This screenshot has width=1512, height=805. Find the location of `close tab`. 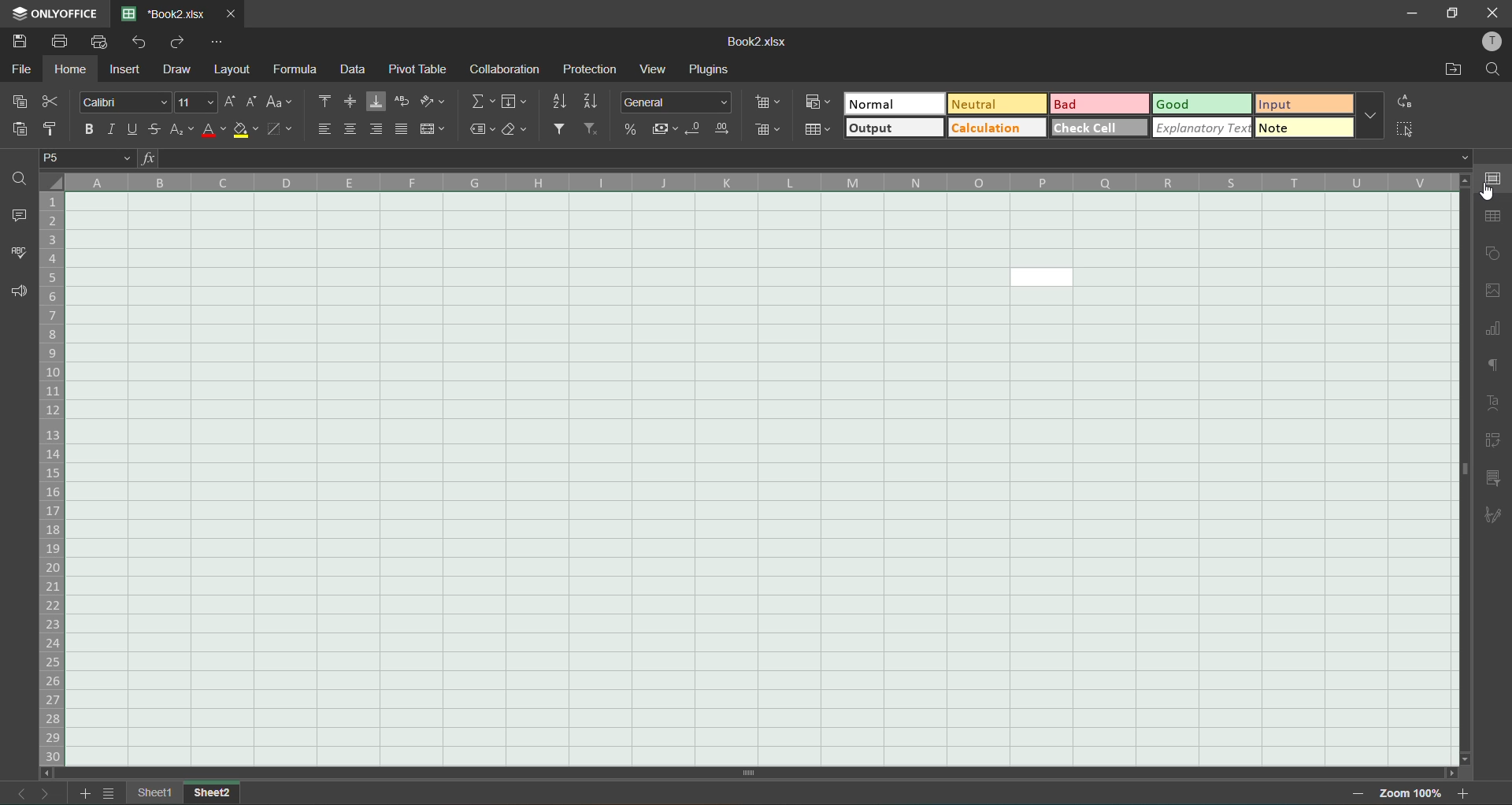

close tab is located at coordinates (230, 12).